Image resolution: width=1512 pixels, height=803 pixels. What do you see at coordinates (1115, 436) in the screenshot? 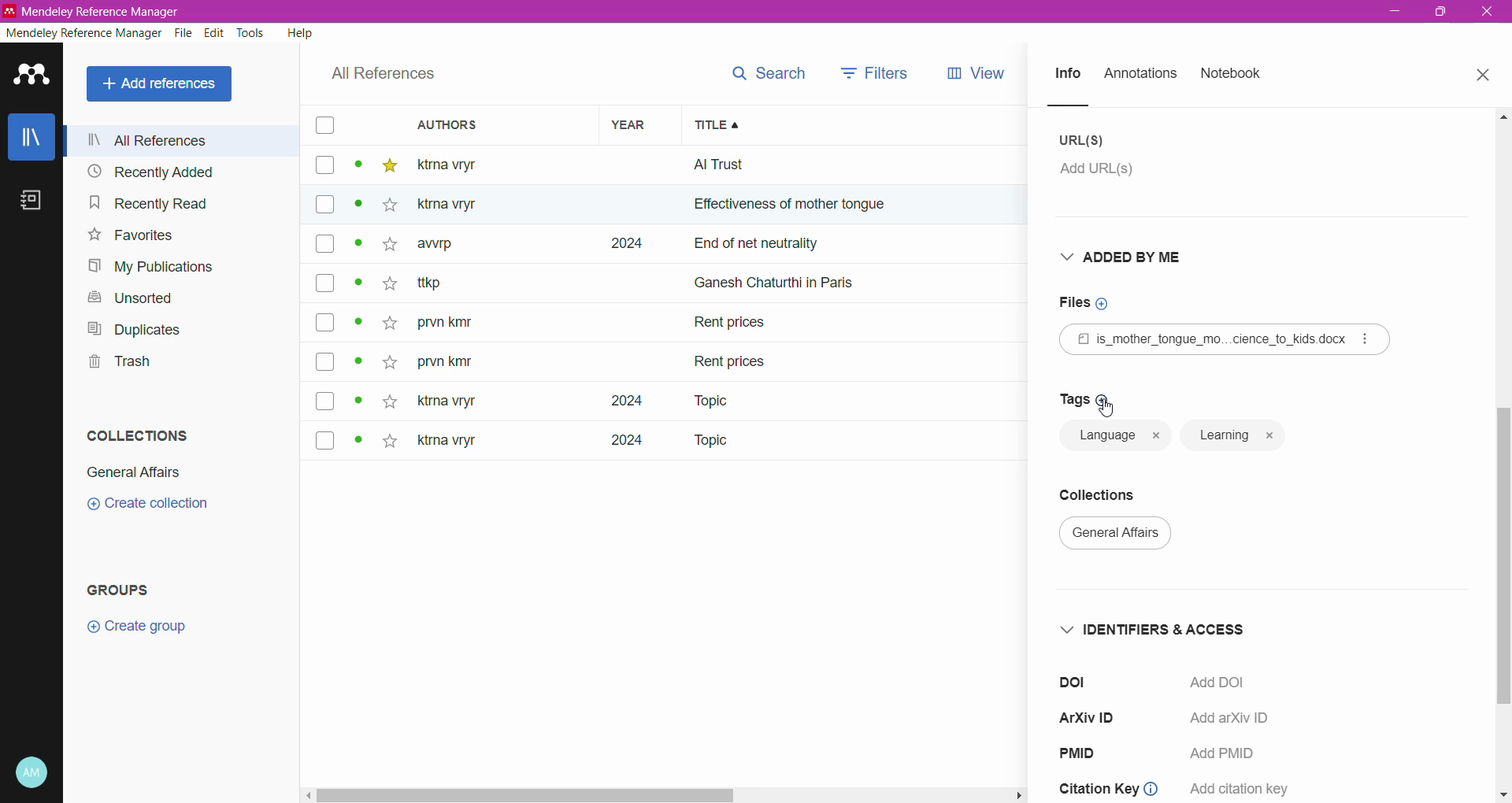
I see `language ` at bounding box center [1115, 436].